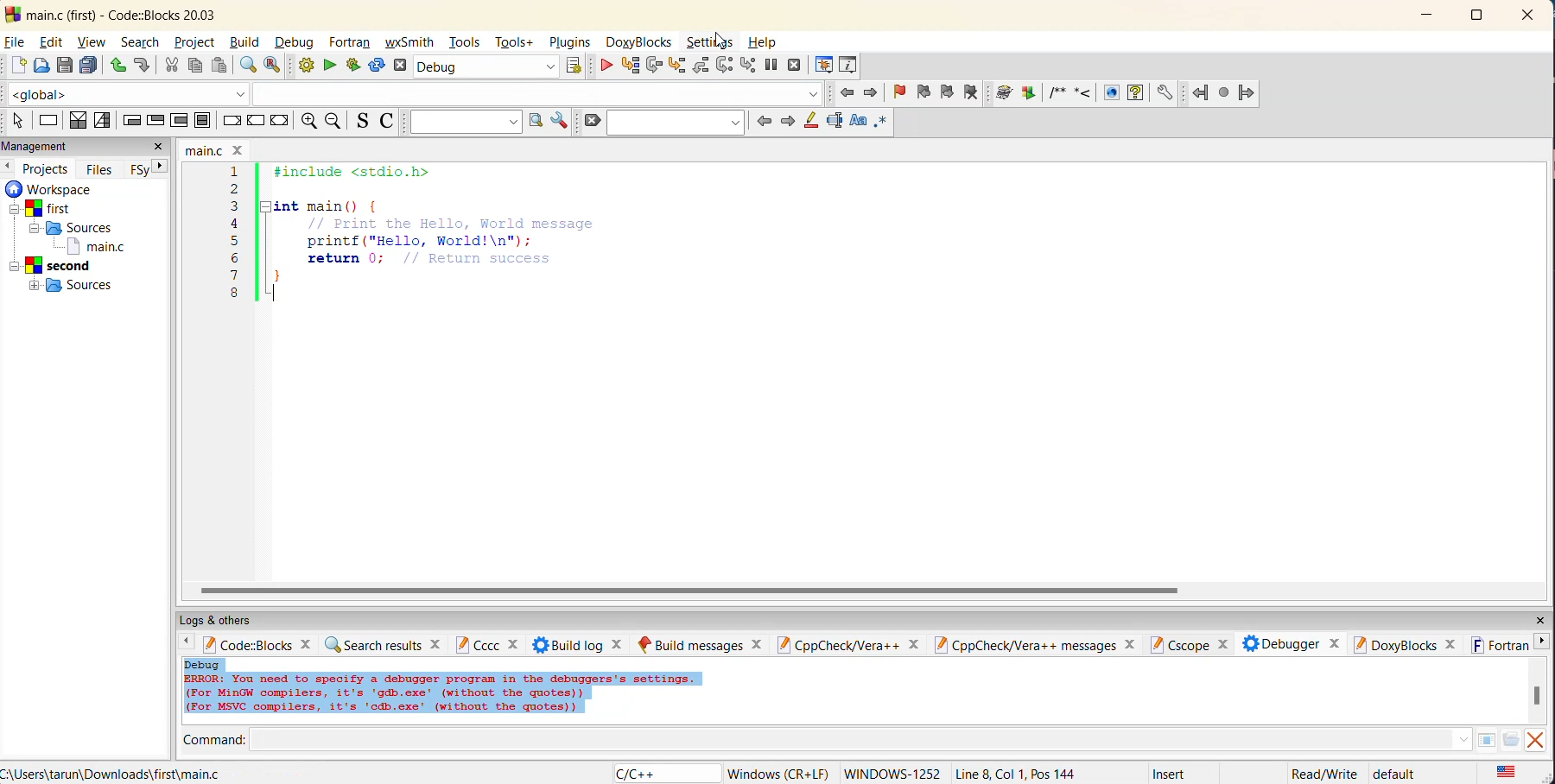  I want to click on C:\Users\tarun\Downloads\first\main.c, so click(117, 773).